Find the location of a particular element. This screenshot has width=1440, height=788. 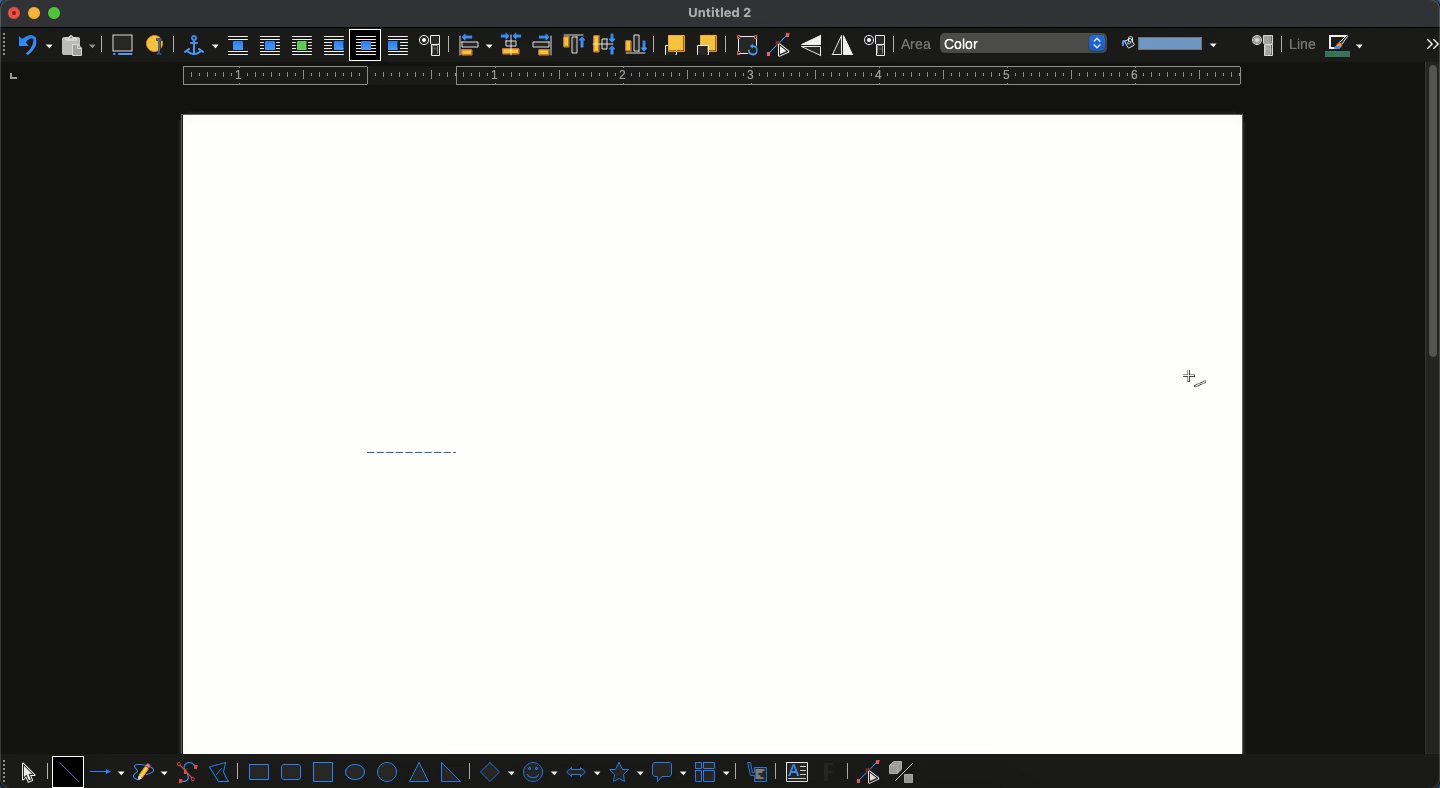

symbol shapes is located at coordinates (538, 771).